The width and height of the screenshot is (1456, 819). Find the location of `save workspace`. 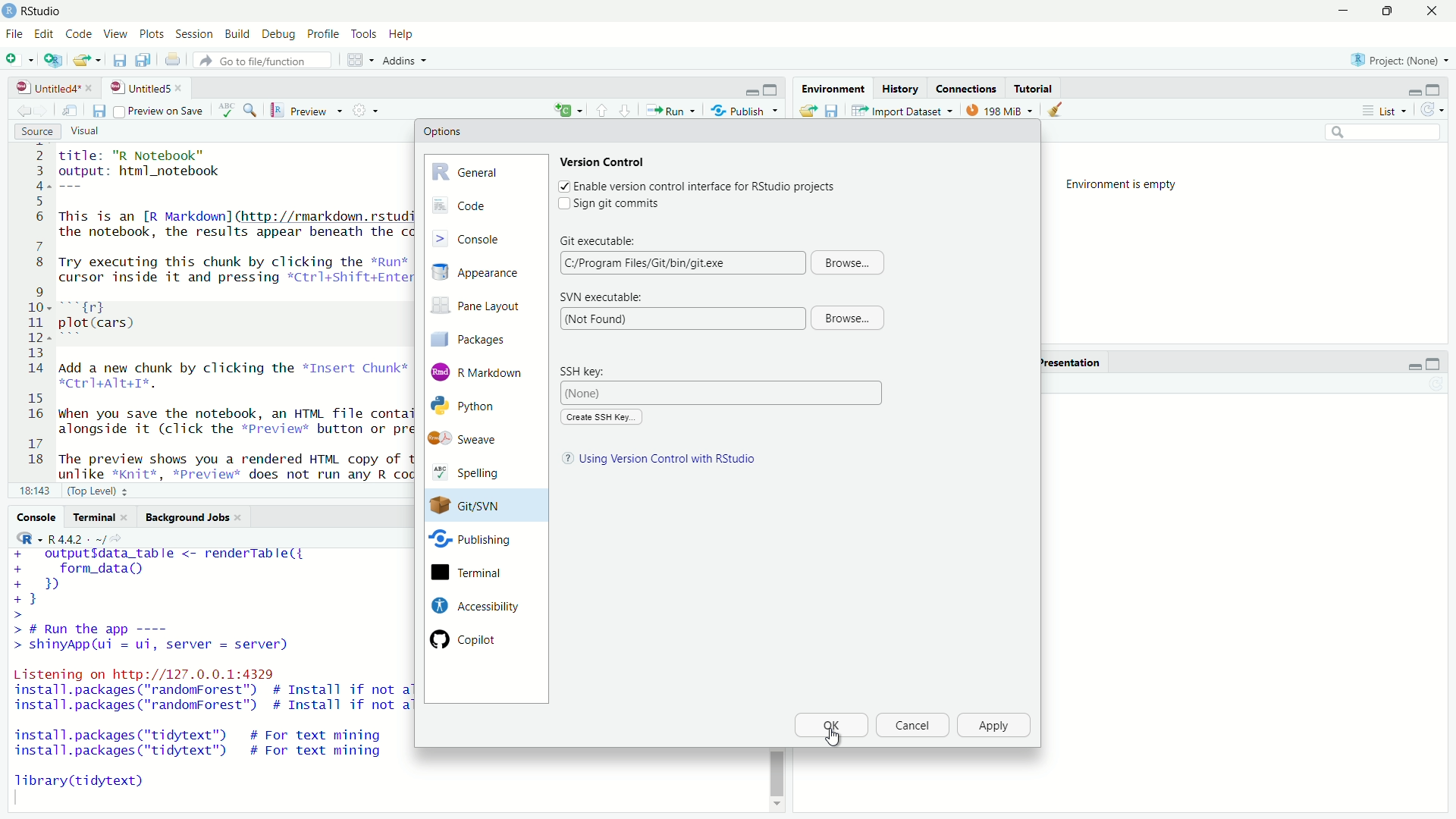

save workspace is located at coordinates (832, 110).